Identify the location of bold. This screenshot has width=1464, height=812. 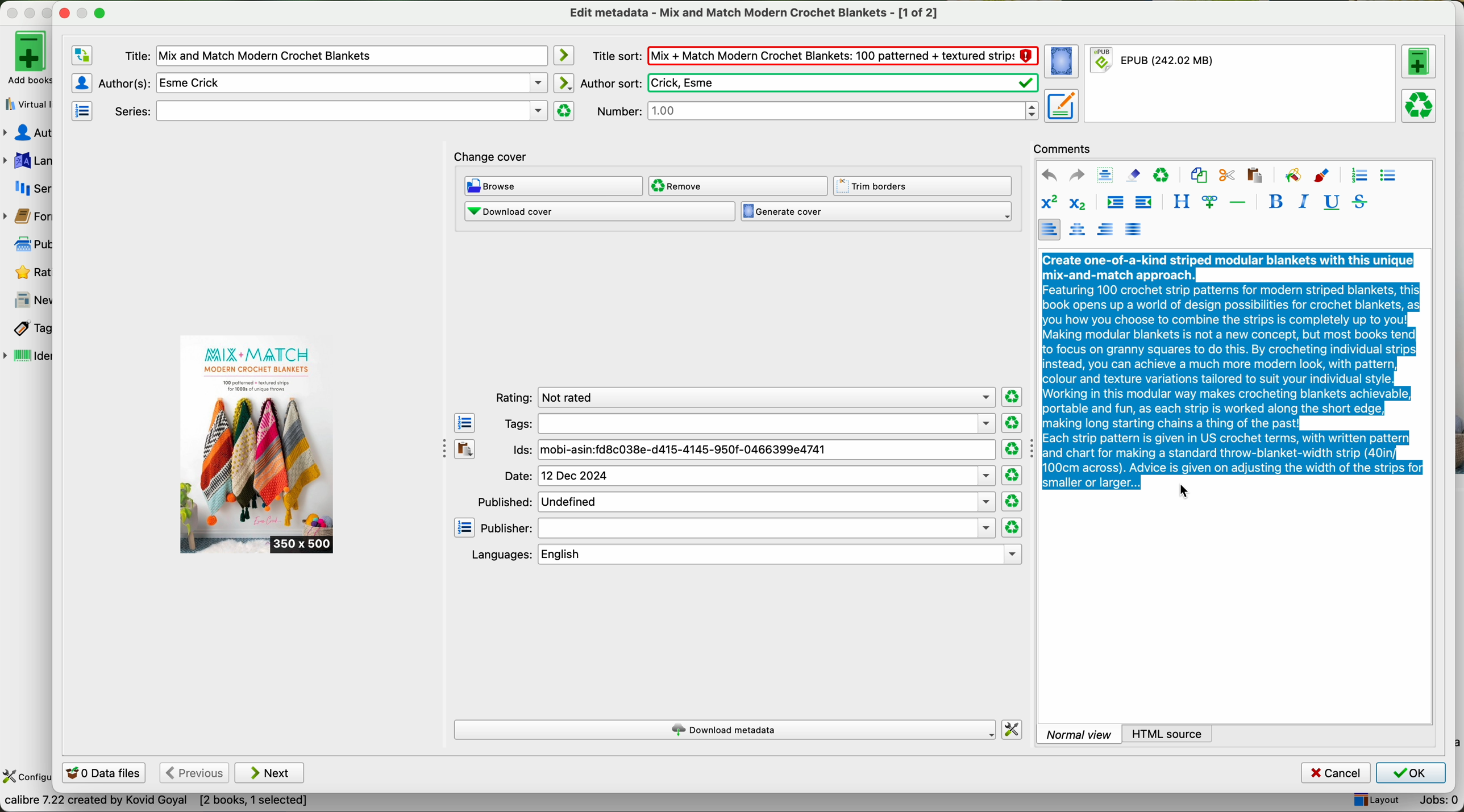
(1276, 201).